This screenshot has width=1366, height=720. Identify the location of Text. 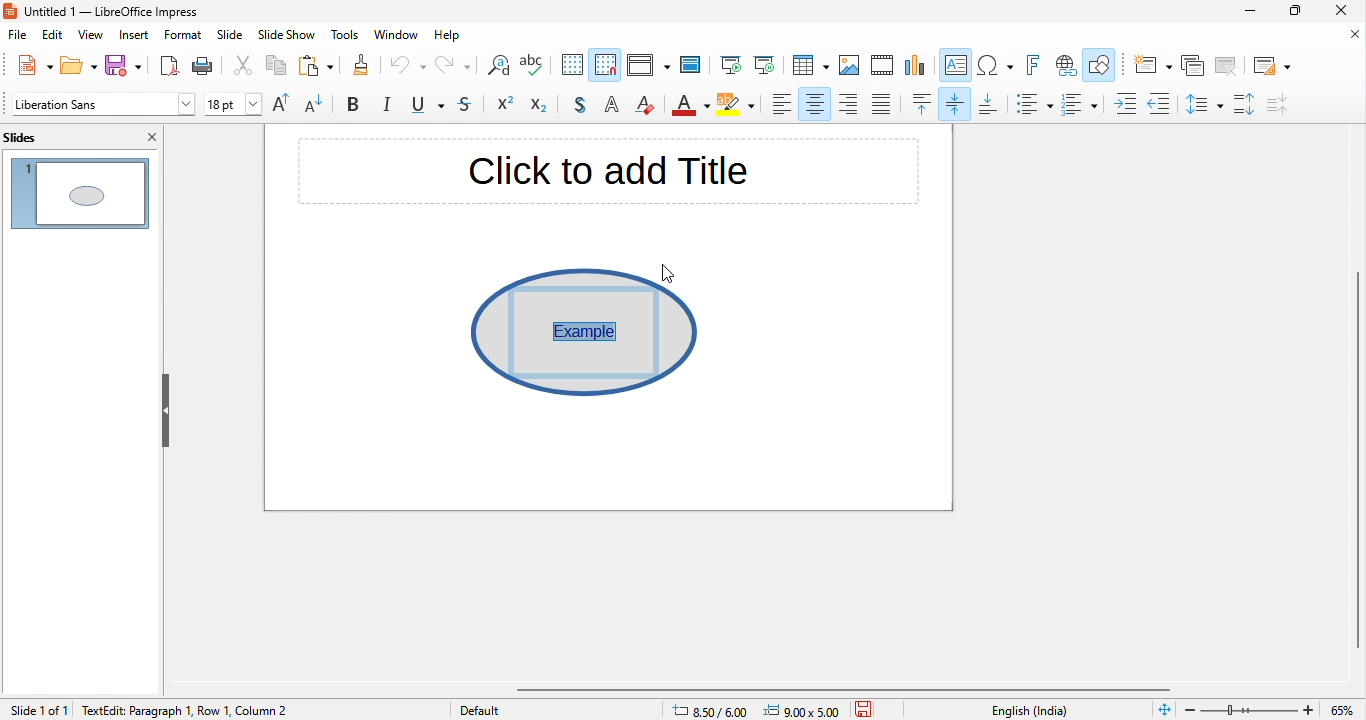
(611, 175).